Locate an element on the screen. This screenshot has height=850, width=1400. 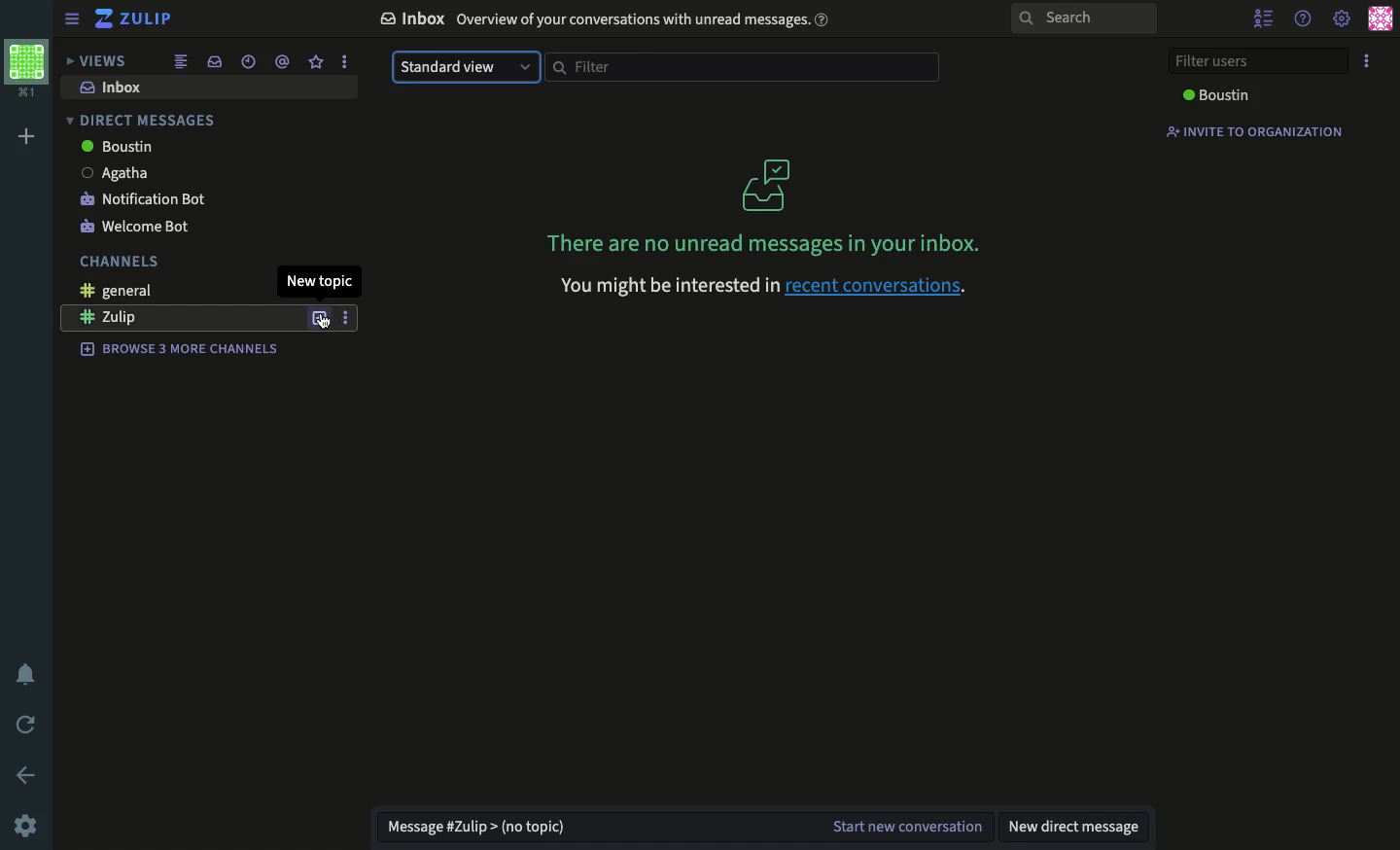
message Zulip is located at coordinates (479, 826).